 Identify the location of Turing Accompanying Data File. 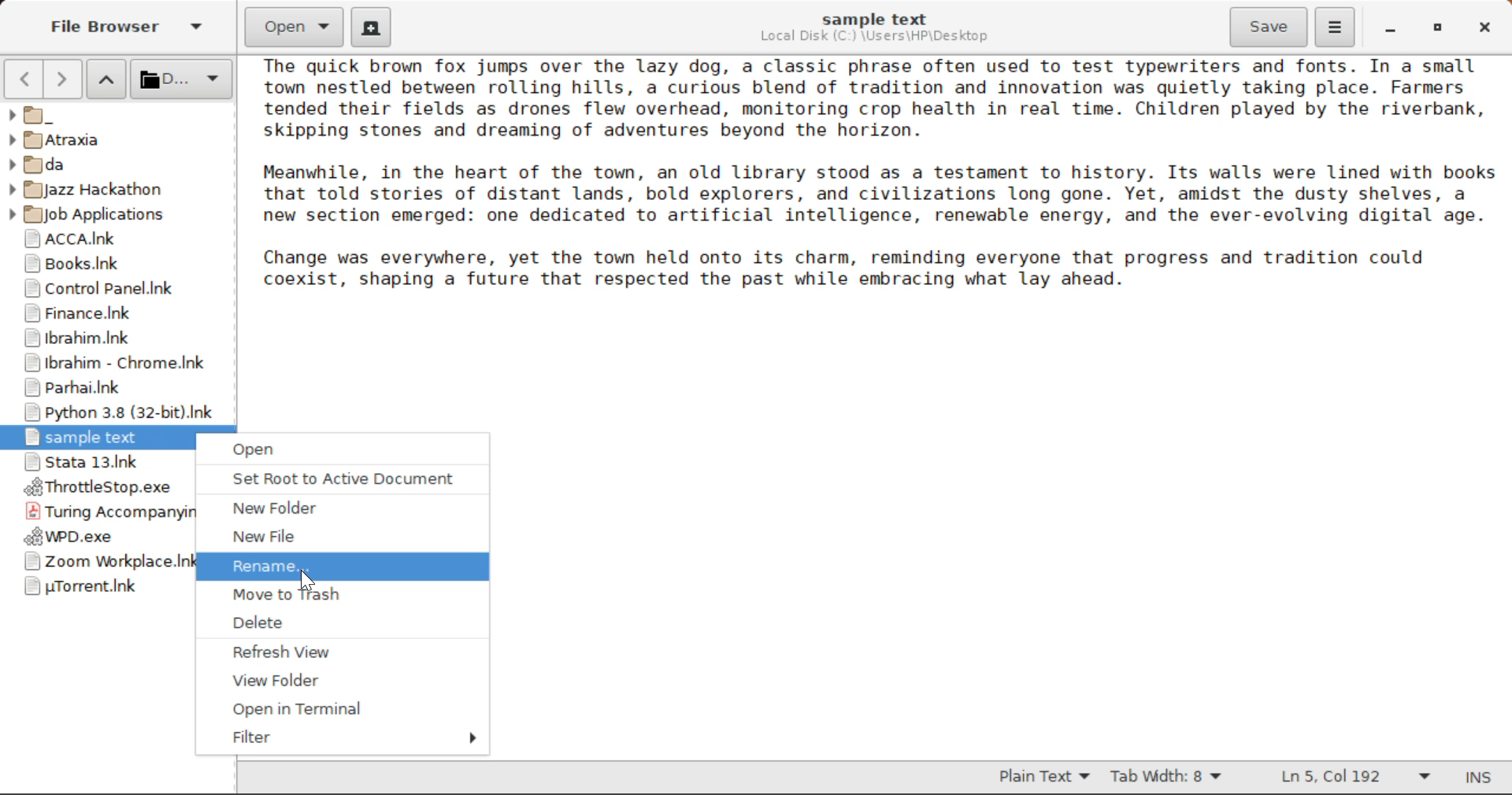
(98, 512).